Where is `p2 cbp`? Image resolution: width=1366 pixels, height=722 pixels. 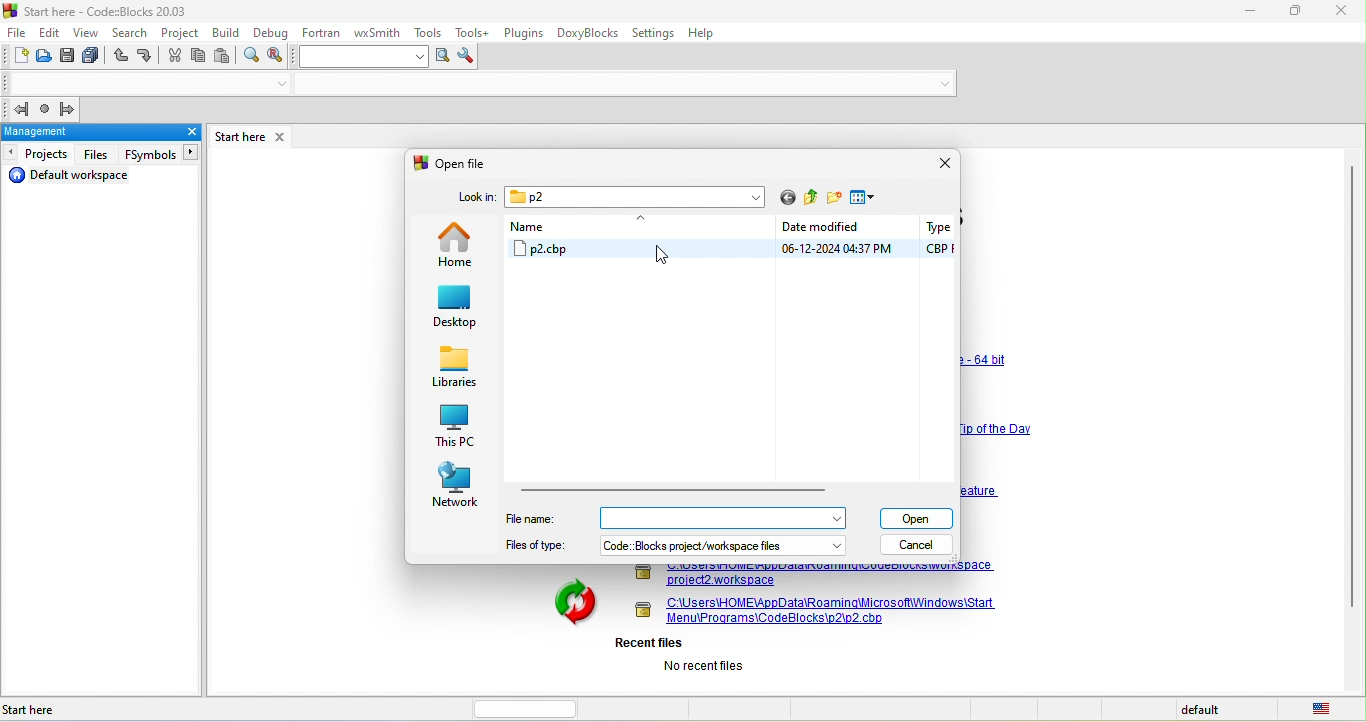 p2 cbp is located at coordinates (642, 250).